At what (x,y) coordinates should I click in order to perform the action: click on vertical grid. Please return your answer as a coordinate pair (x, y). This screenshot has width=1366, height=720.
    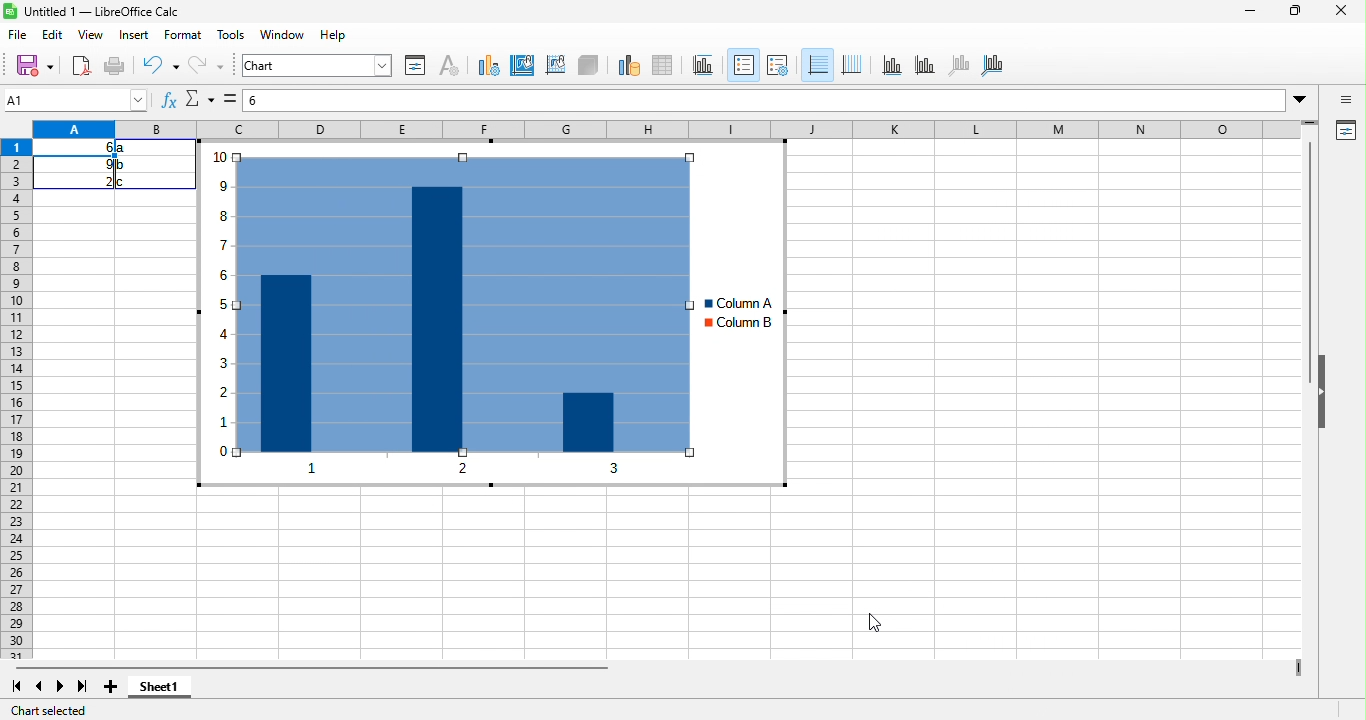
    Looking at the image, I should click on (852, 64).